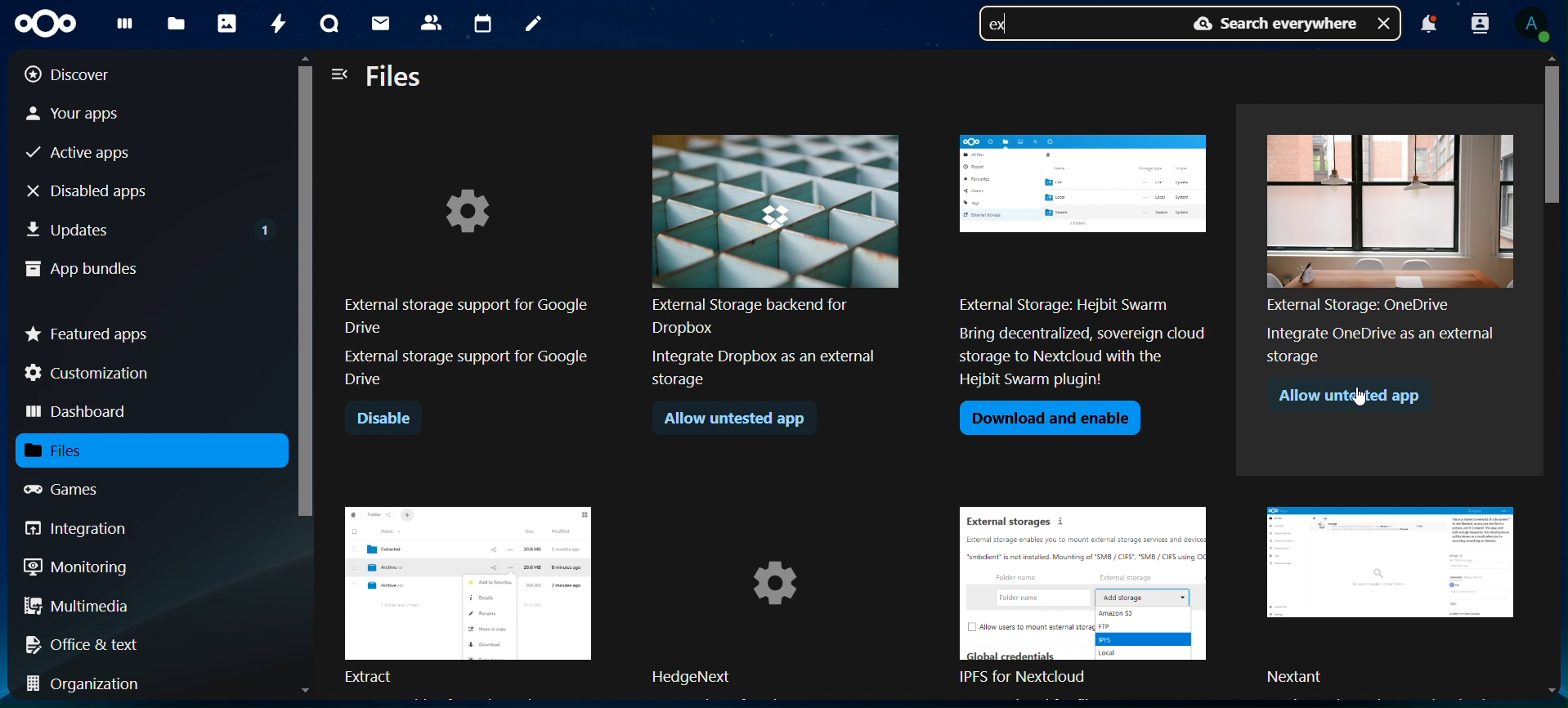 The height and width of the screenshot is (708, 1568). I want to click on files, so click(75, 450).